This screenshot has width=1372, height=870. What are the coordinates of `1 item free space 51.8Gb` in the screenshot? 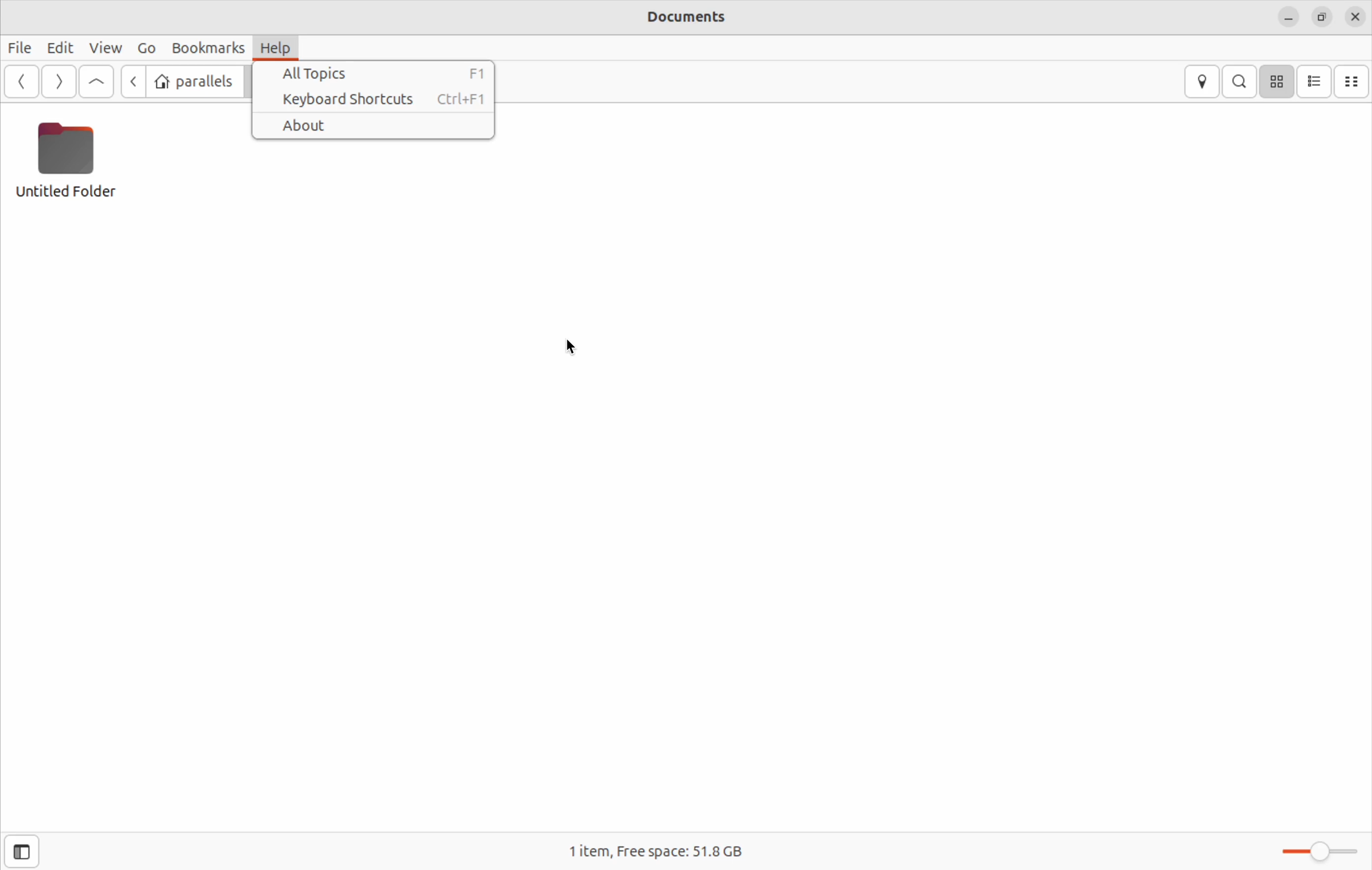 It's located at (653, 850).